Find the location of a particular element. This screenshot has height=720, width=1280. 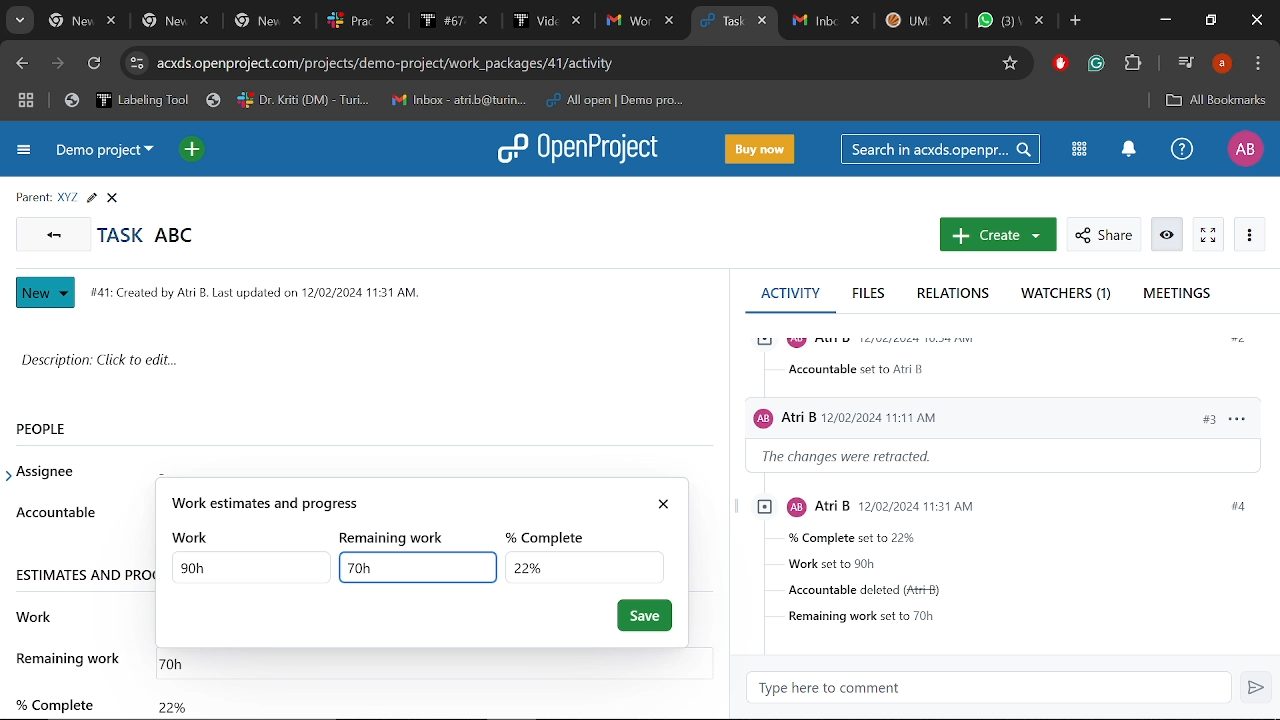

Task infromstions is located at coordinates (1005, 561).